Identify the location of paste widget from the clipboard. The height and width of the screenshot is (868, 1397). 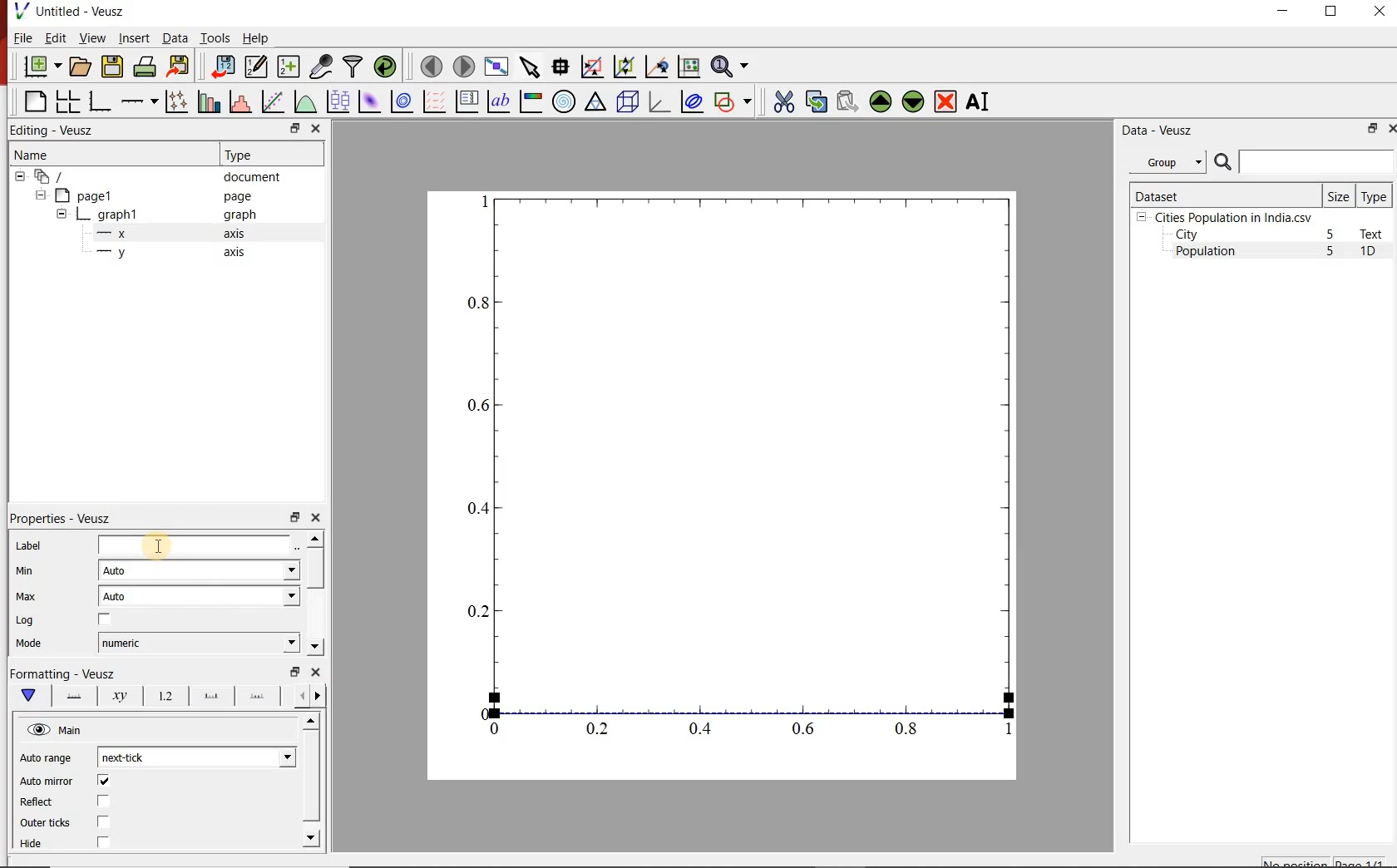
(847, 101).